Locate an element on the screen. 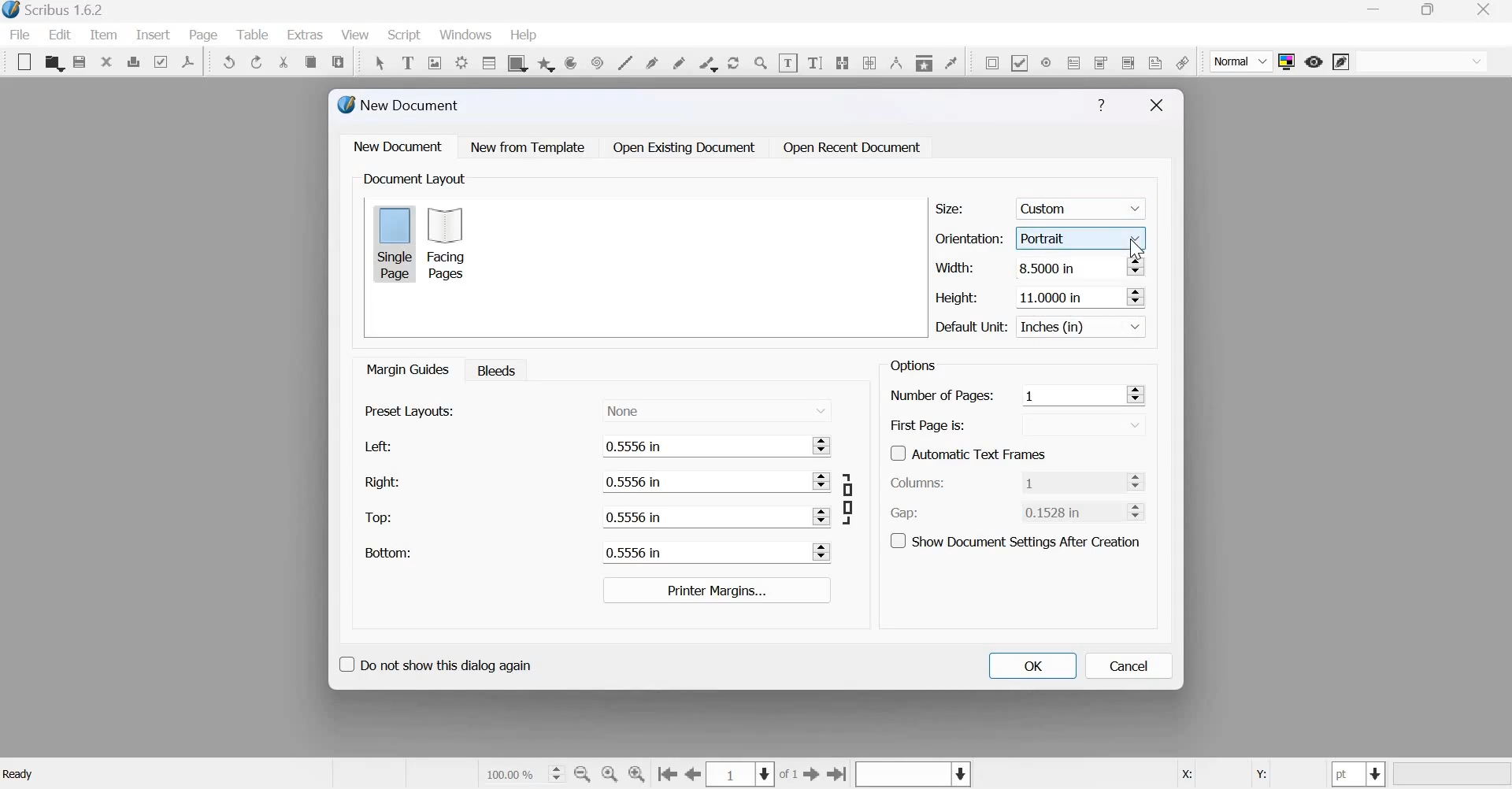 The height and width of the screenshot is (789, 1512). spiral is located at coordinates (595, 61).